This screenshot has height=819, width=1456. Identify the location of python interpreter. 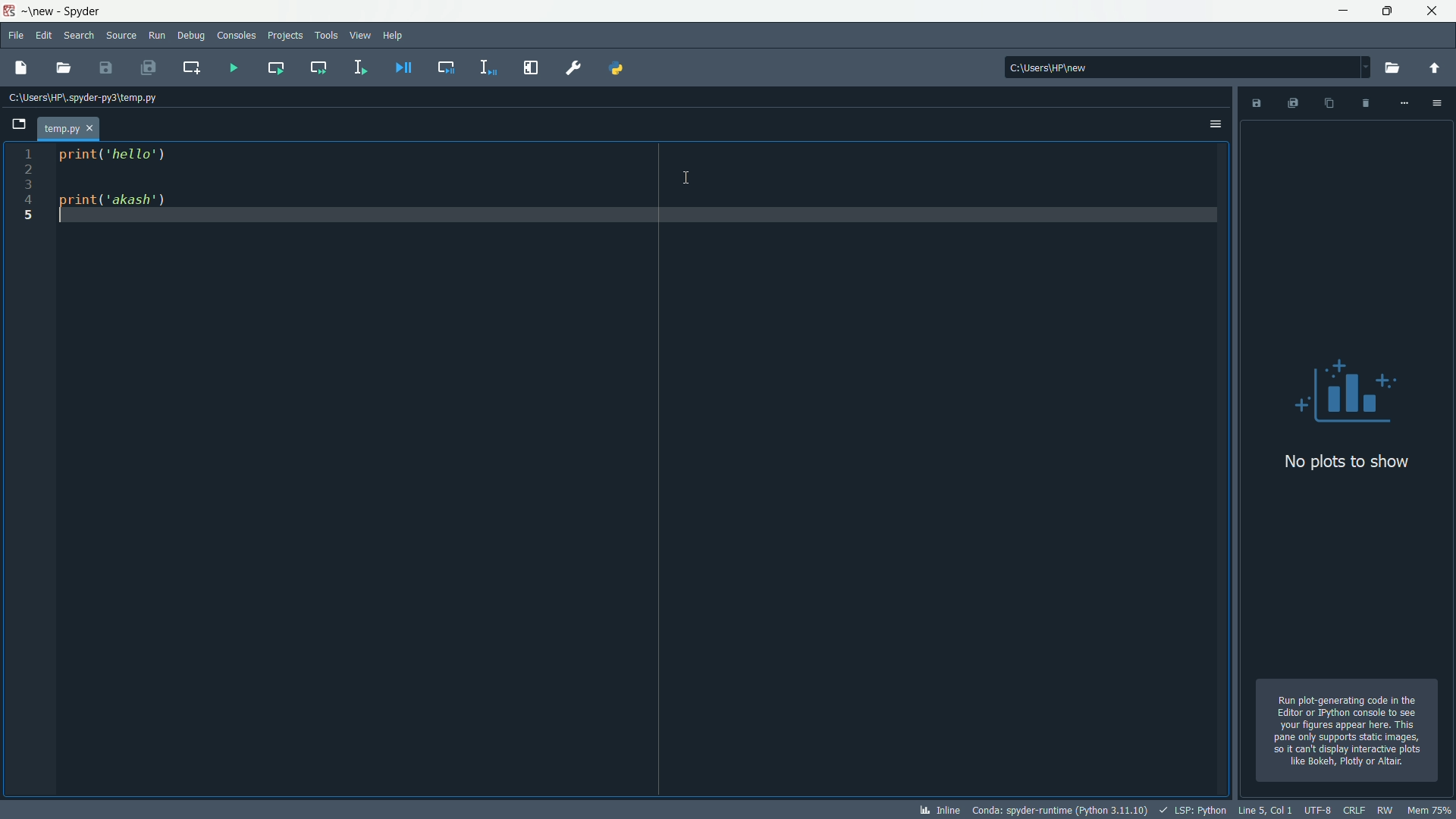
(1059, 810).